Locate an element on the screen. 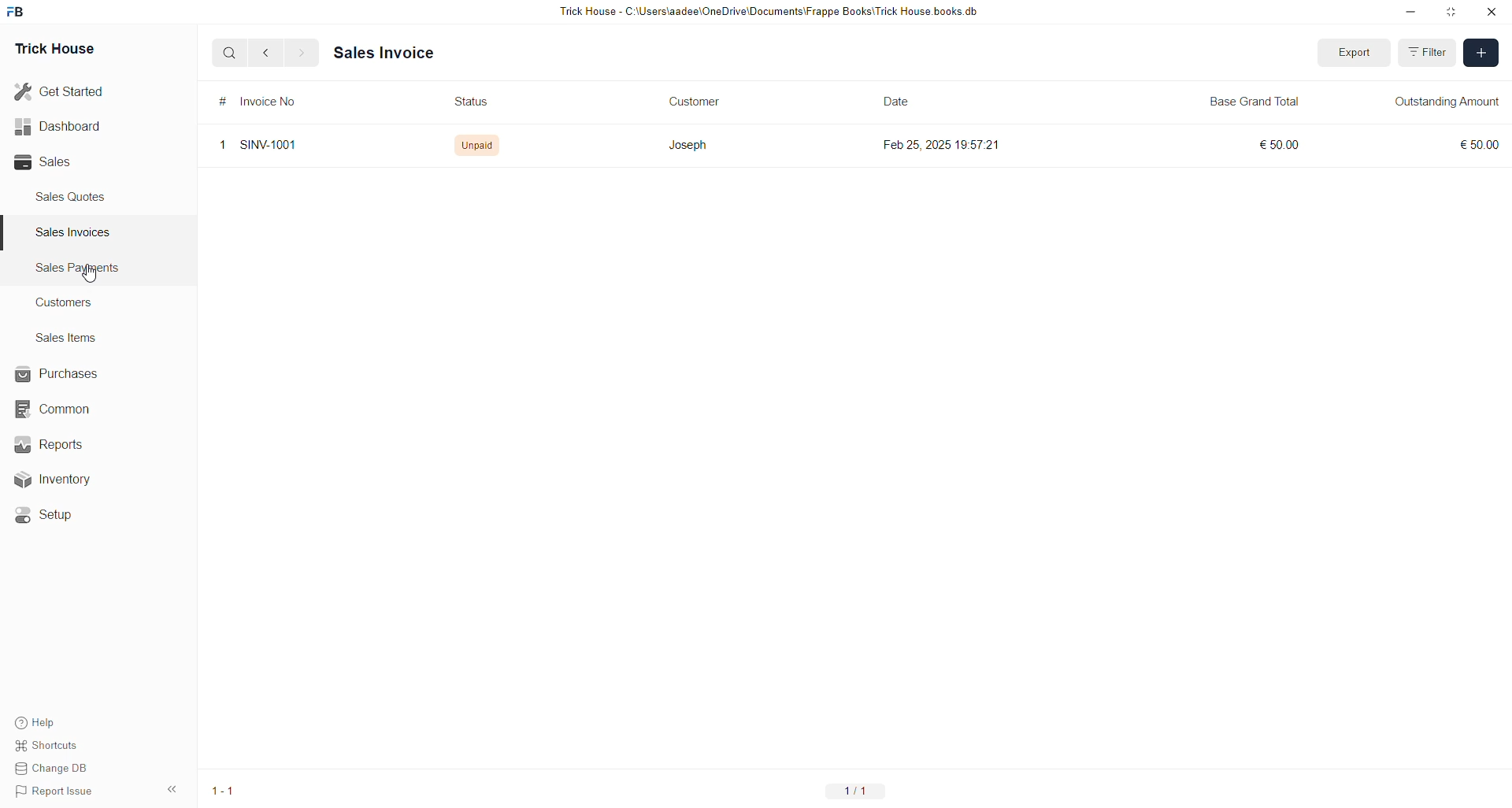 This screenshot has width=1512, height=808. Inventory is located at coordinates (71, 478).